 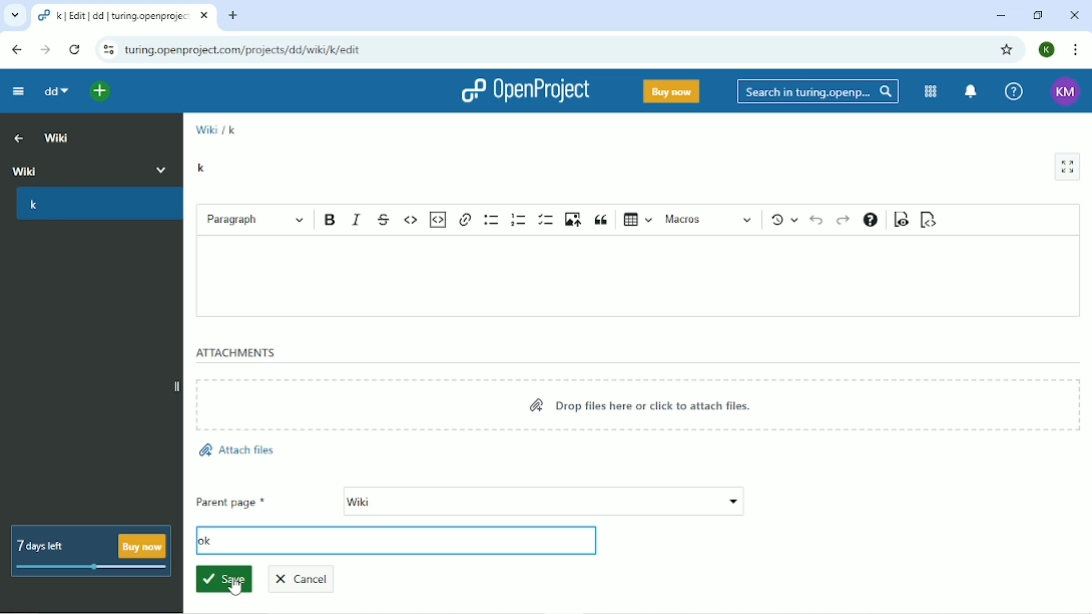 I want to click on Wiki, so click(x=92, y=168).